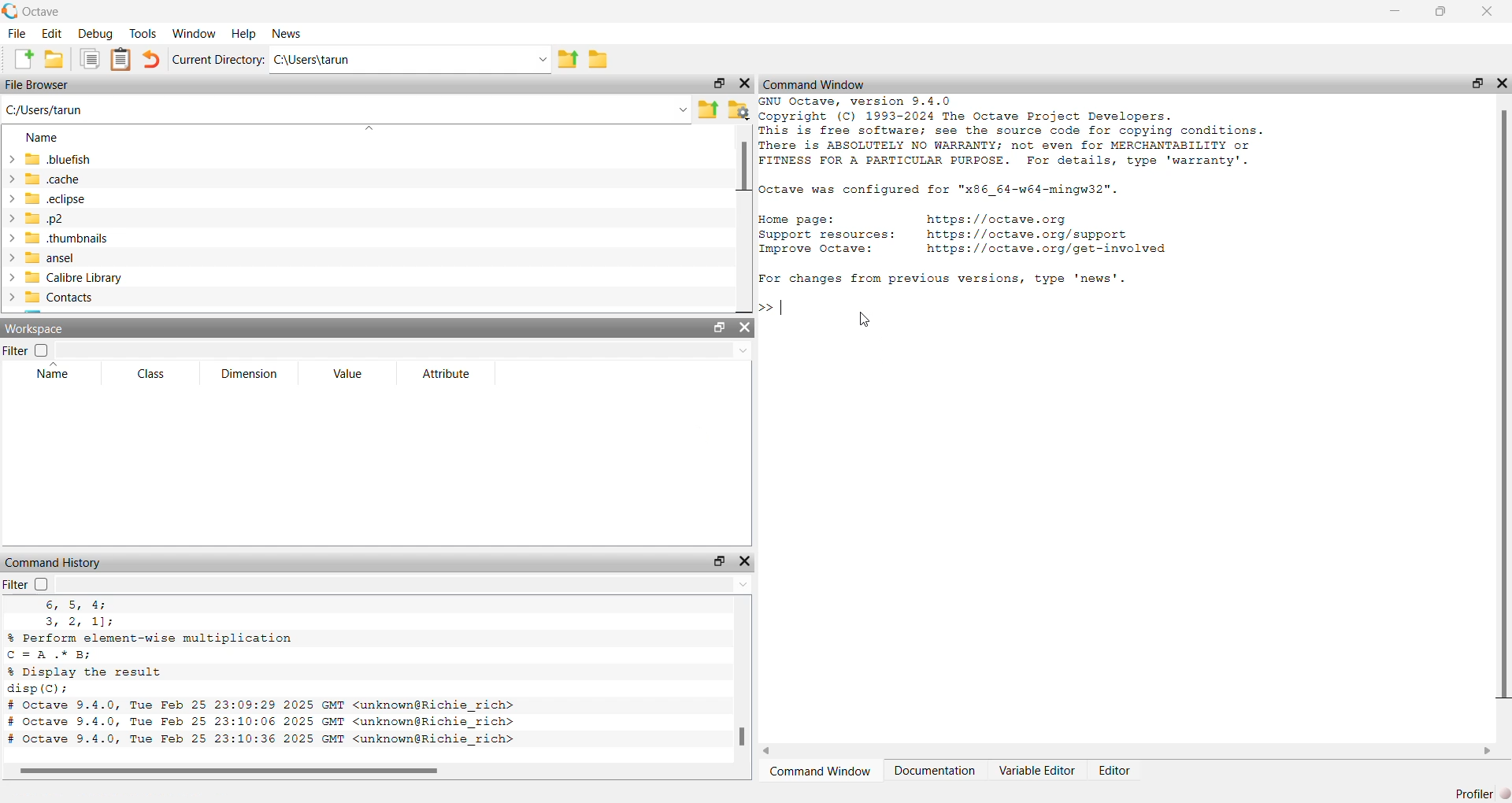 Image resolution: width=1512 pixels, height=803 pixels. I want to click on Create New, so click(23, 58).